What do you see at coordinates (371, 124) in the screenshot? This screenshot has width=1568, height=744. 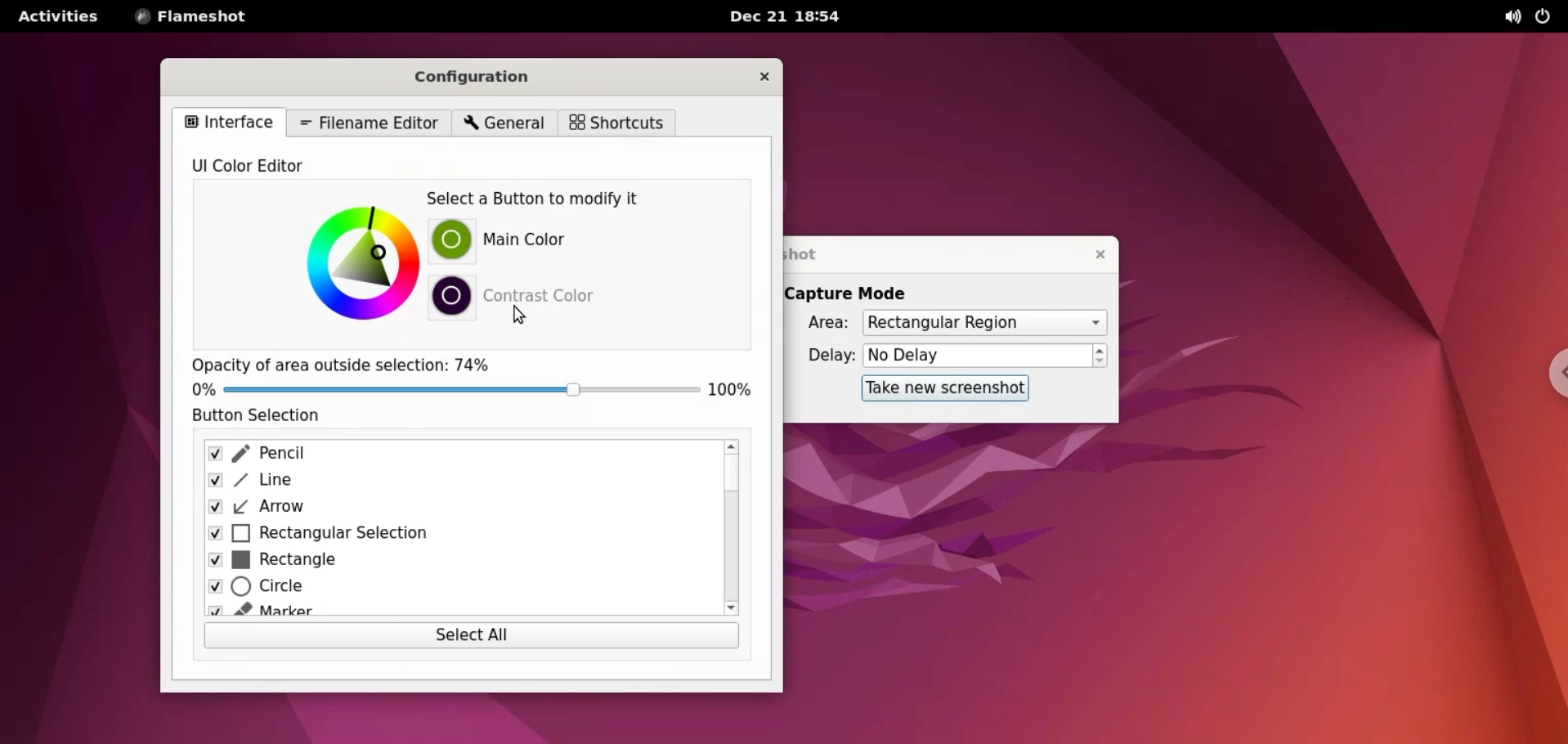 I see `filename editor` at bounding box center [371, 124].